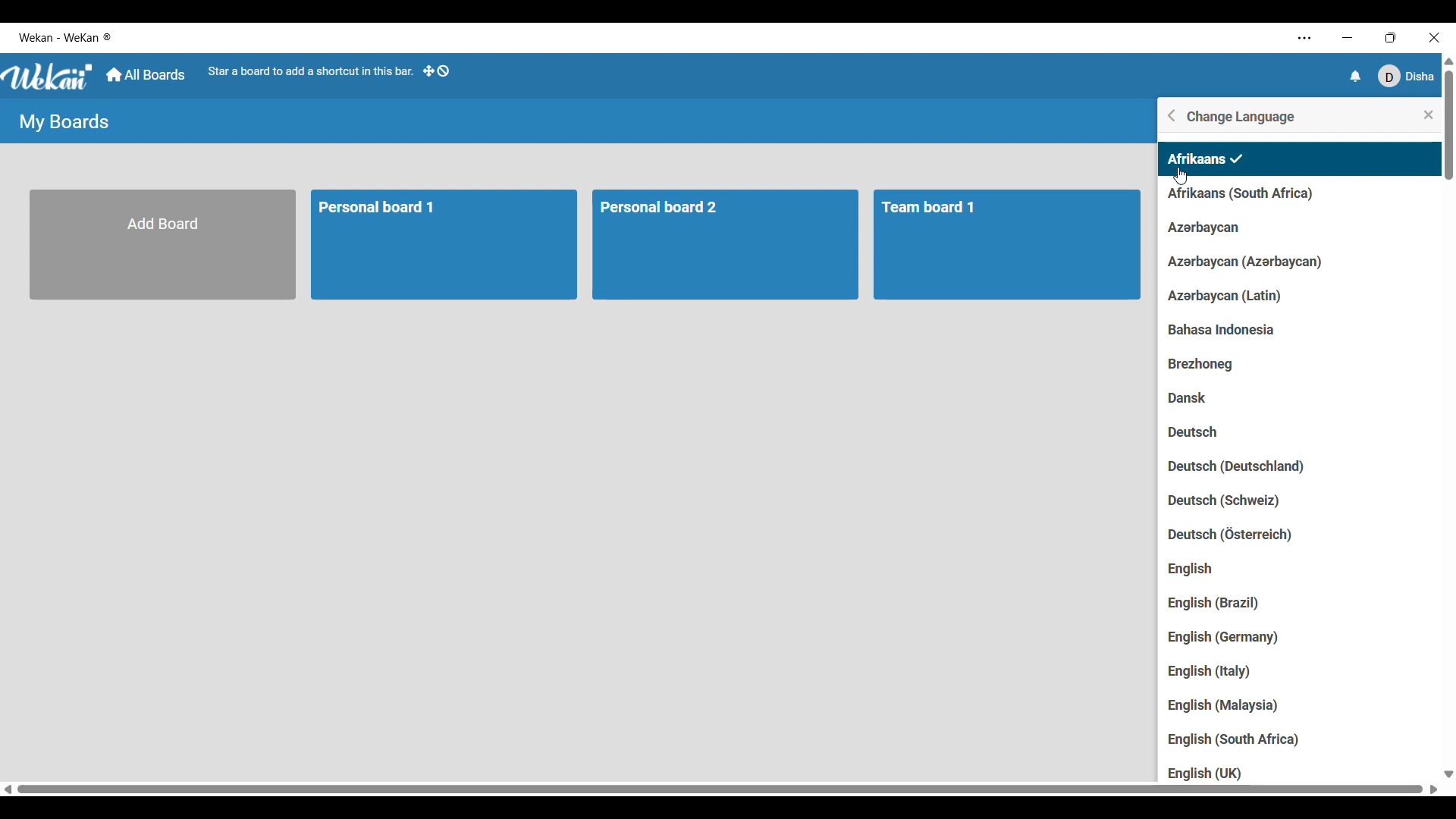  Describe the element at coordinates (1238, 532) in the screenshot. I see `Deutsch (Osterreich)` at that location.